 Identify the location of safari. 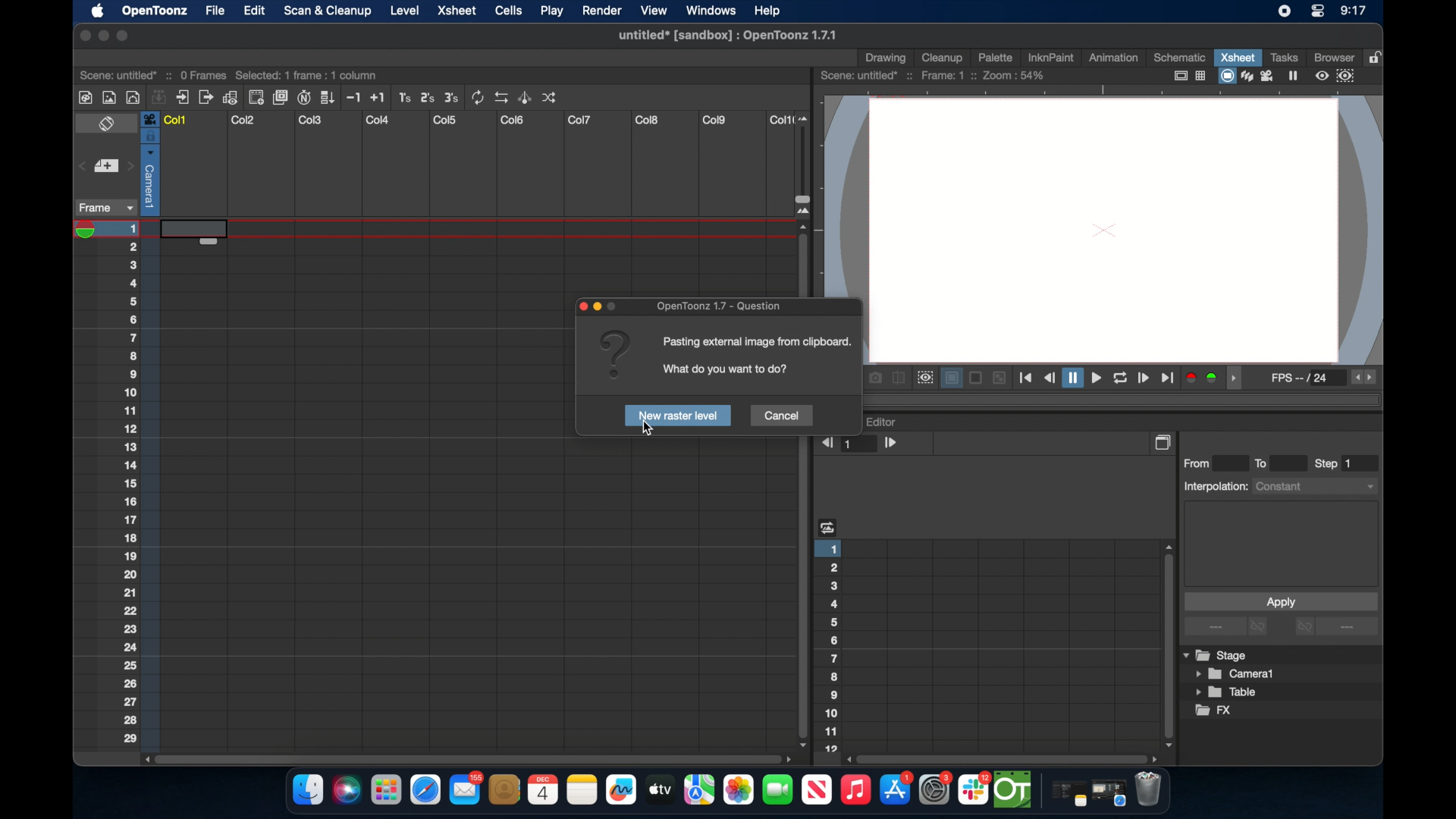
(426, 790).